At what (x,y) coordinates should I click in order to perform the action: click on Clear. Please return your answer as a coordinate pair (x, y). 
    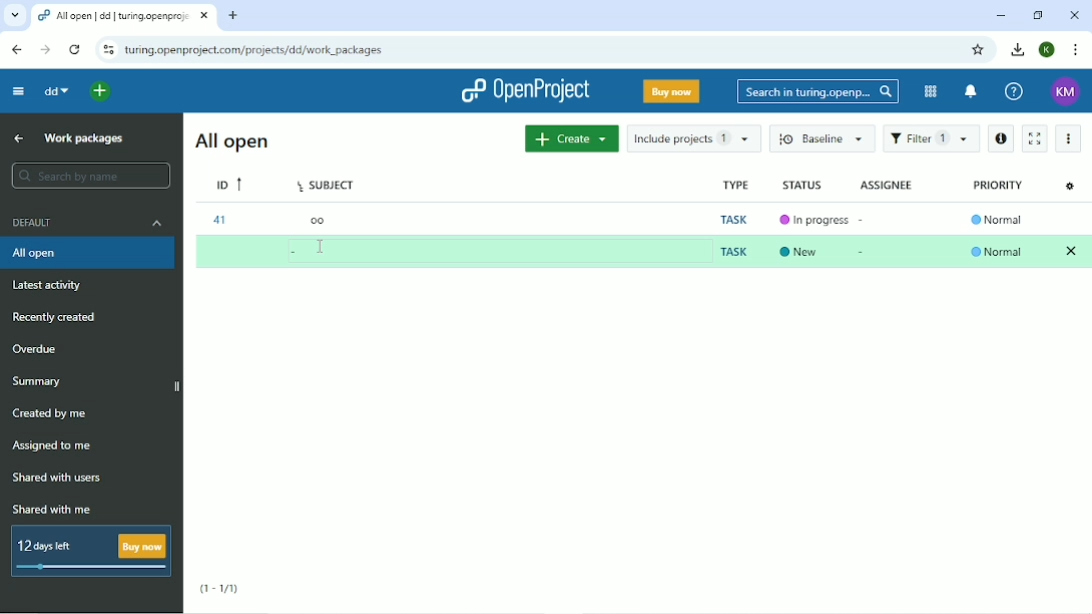
    Looking at the image, I should click on (1072, 250).